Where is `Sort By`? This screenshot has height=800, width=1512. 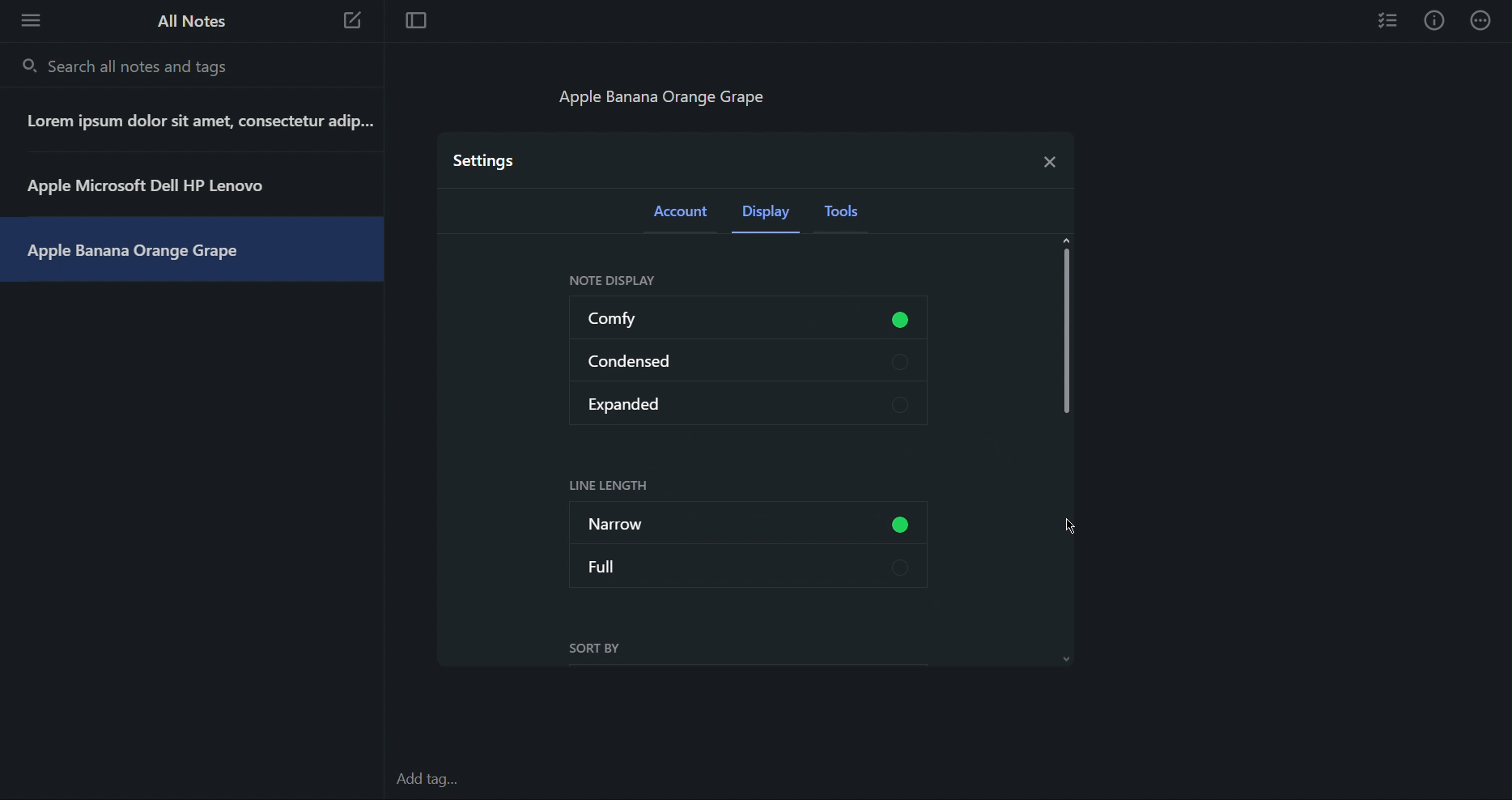 Sort By is located at coordinates (595, 649).